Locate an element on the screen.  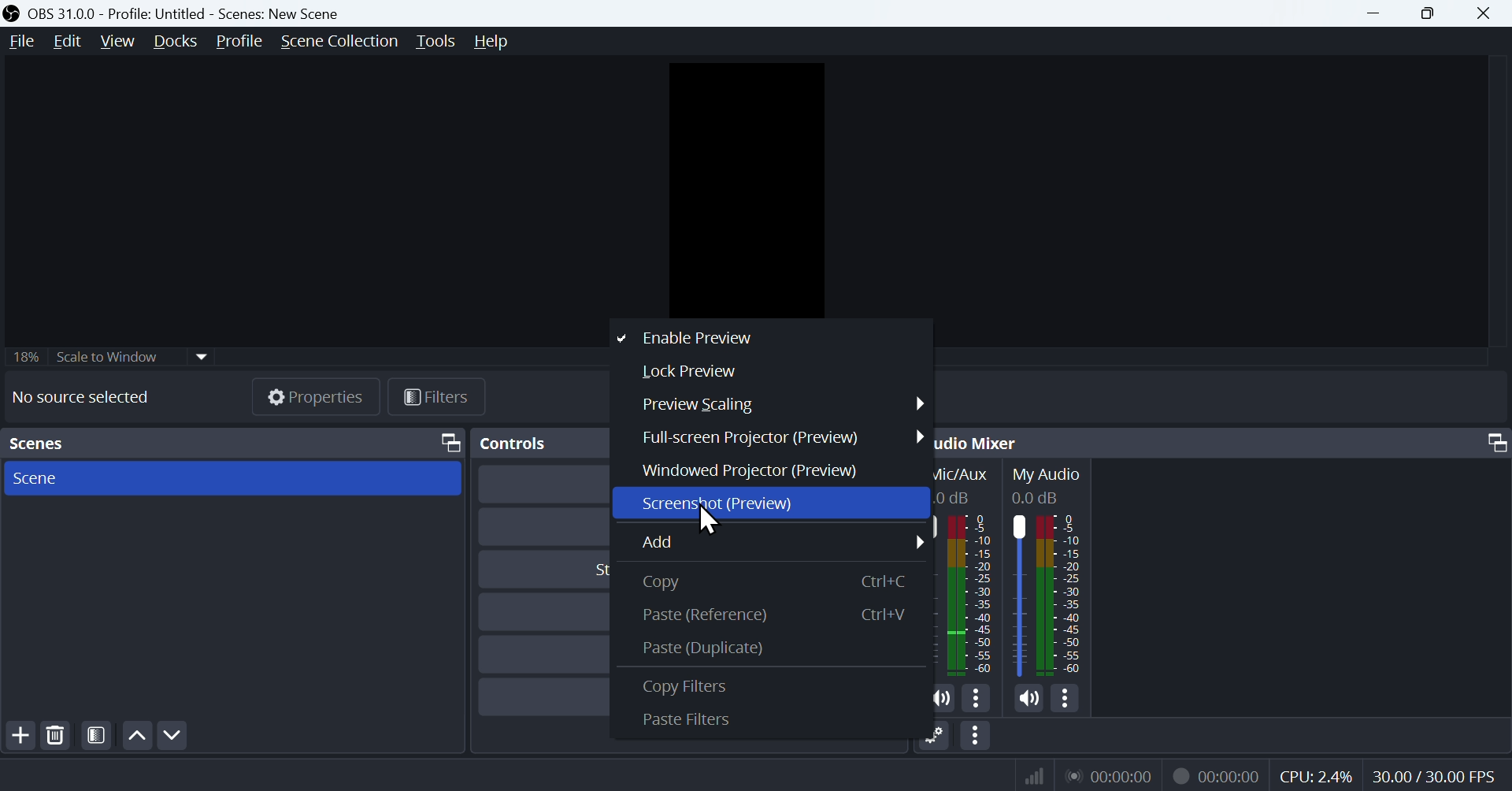
Screenshot Preview is located at coordinates (752, 504).